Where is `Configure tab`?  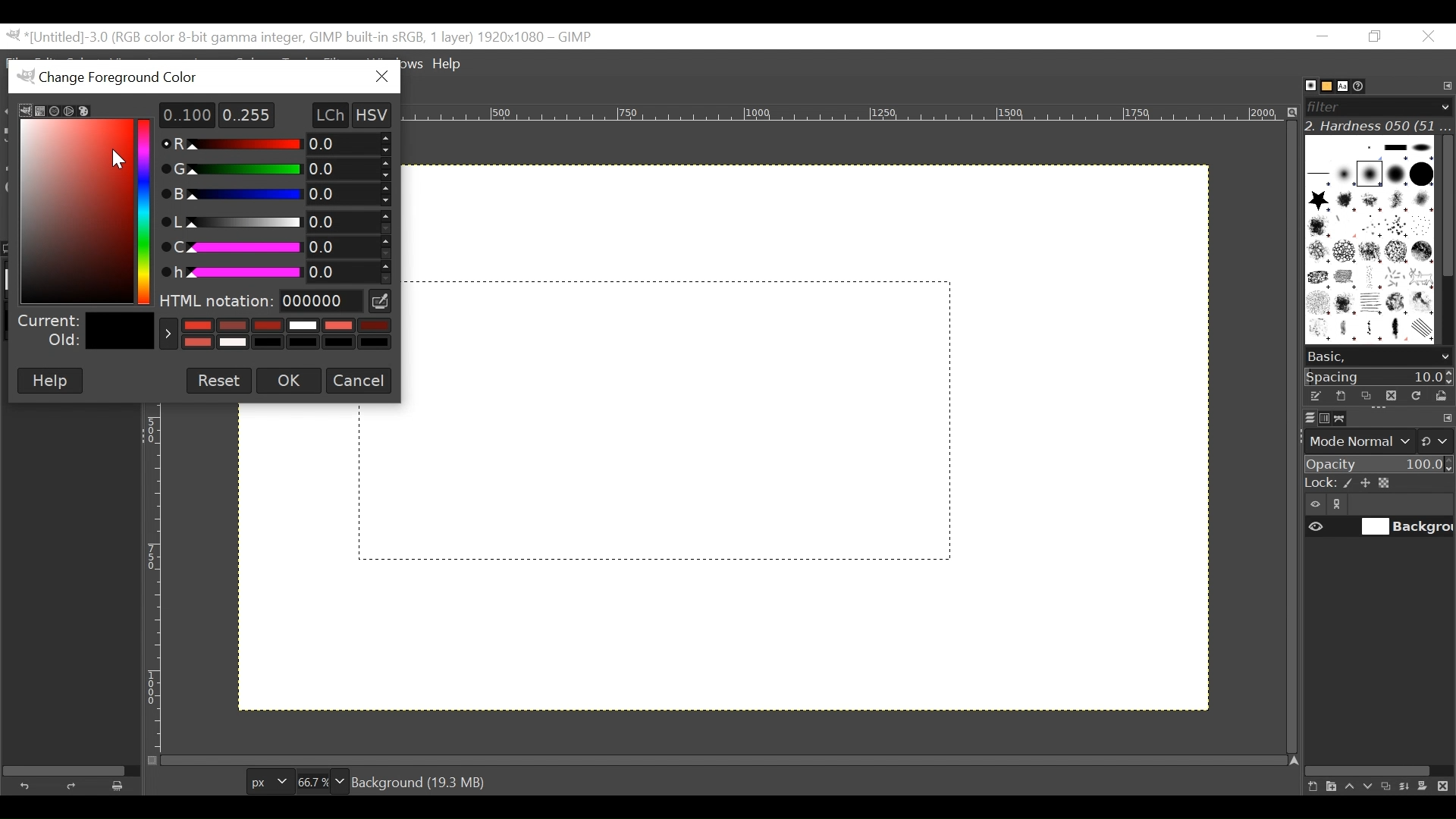
Configure tab is located at coordinates (1445, 86).